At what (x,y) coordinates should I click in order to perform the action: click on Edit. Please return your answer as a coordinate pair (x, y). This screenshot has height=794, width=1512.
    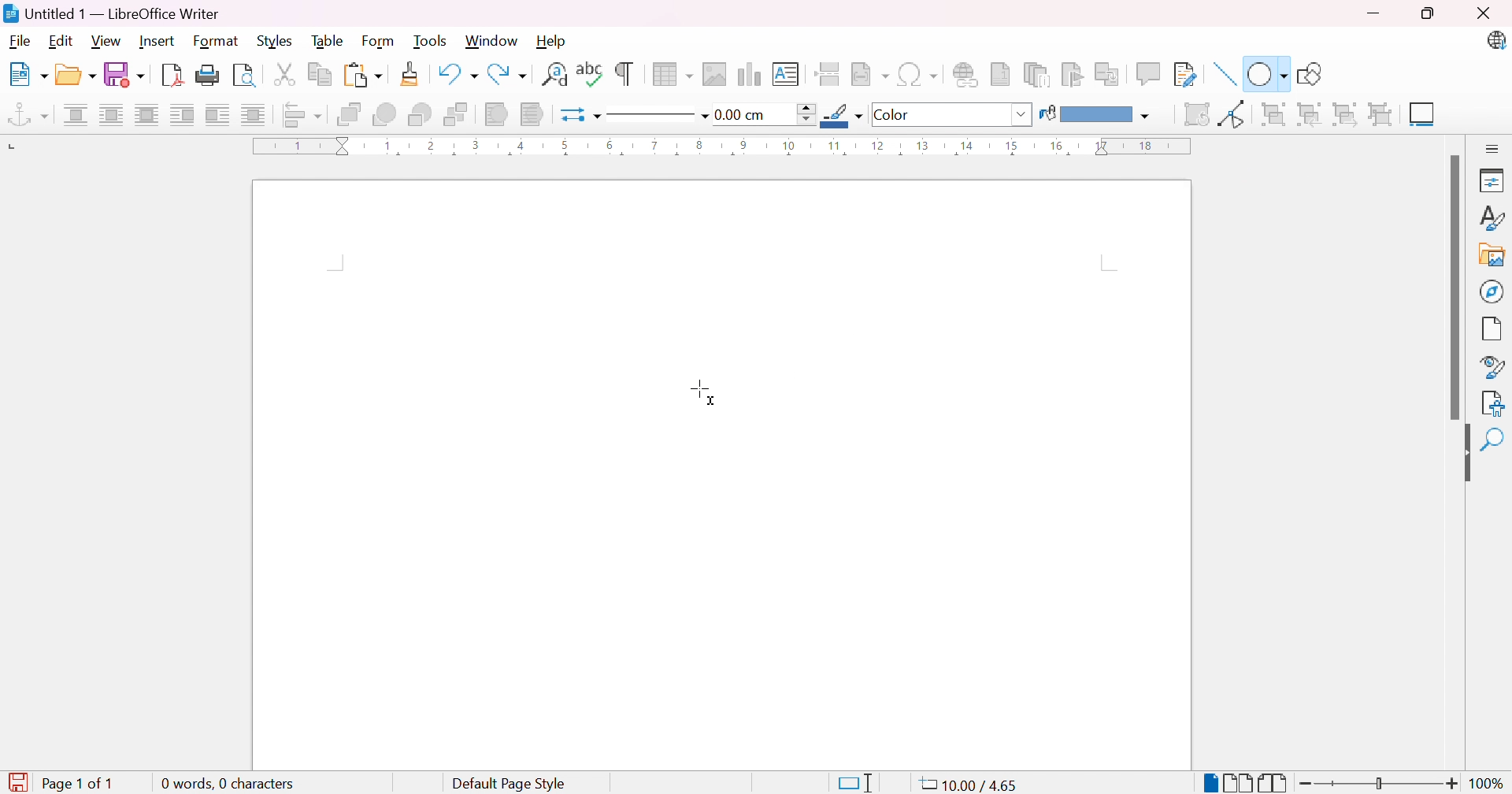
    Looking at the image, I should click on (61, 43).